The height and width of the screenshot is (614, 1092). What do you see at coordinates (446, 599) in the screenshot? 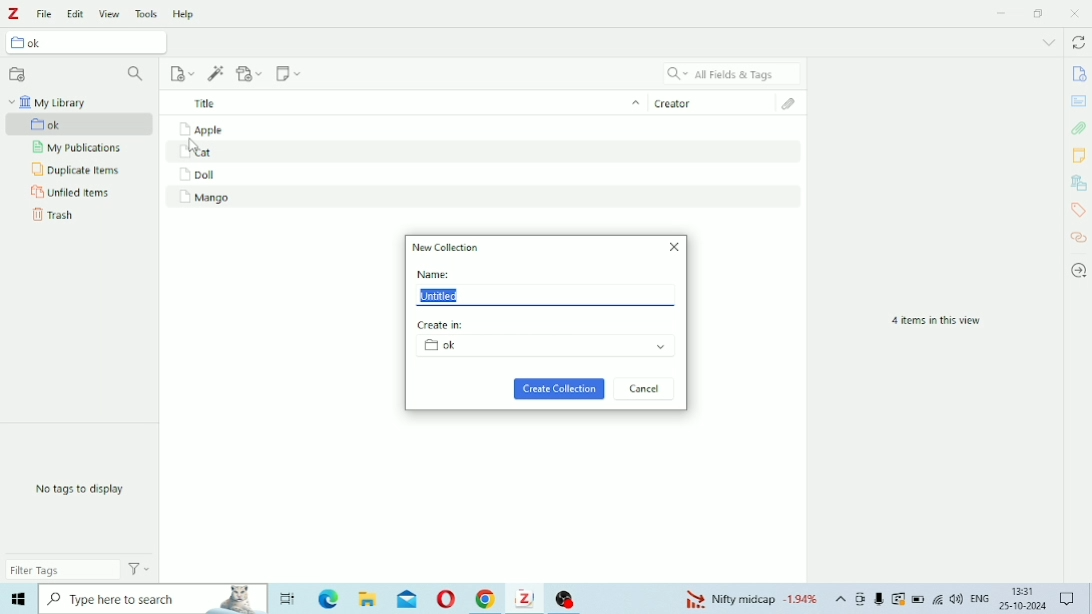
I see `Opera Mini` at bounding box center [446, 599].